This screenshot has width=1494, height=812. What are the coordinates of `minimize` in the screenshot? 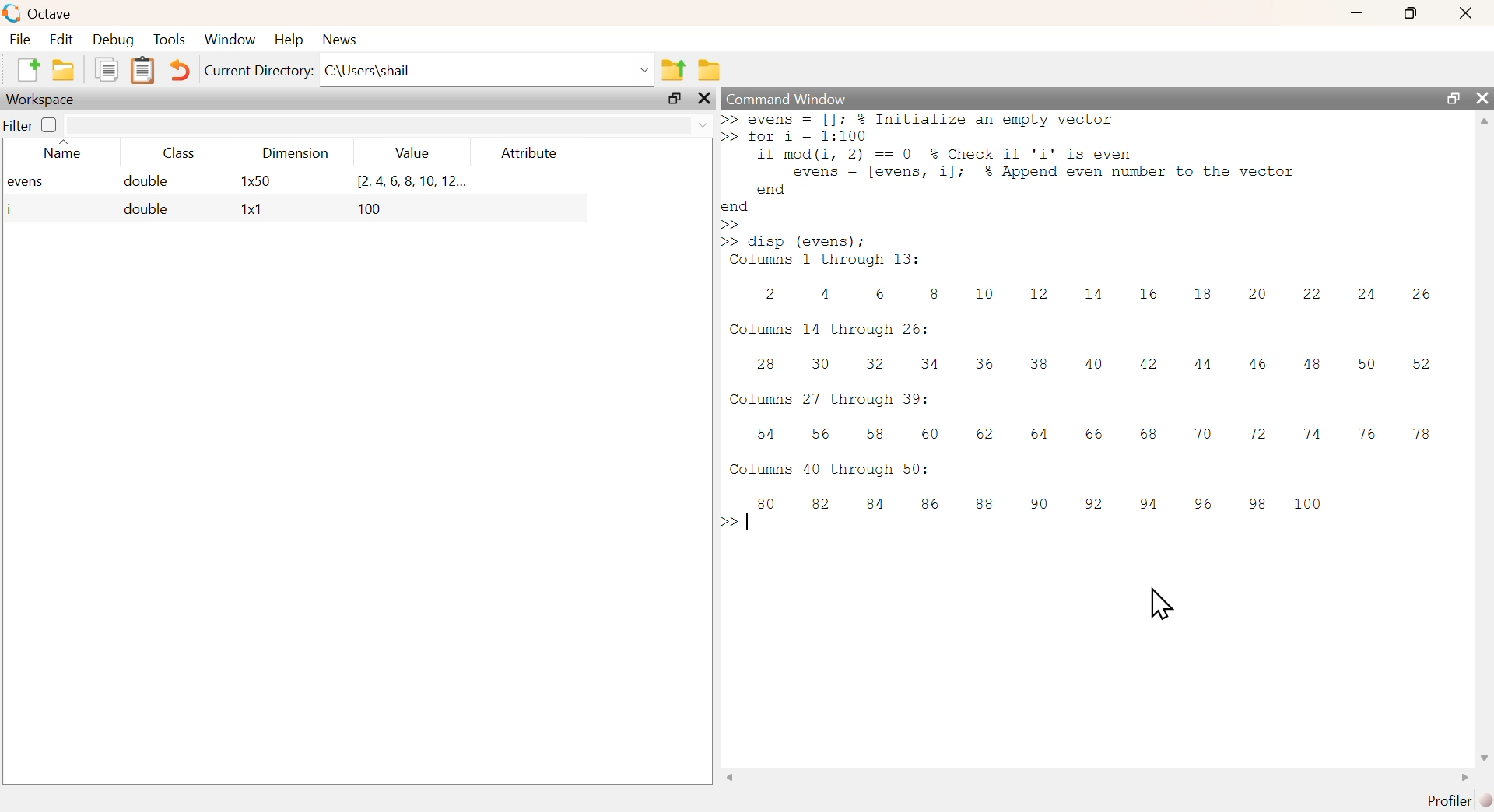 It's located at (1355, 14).